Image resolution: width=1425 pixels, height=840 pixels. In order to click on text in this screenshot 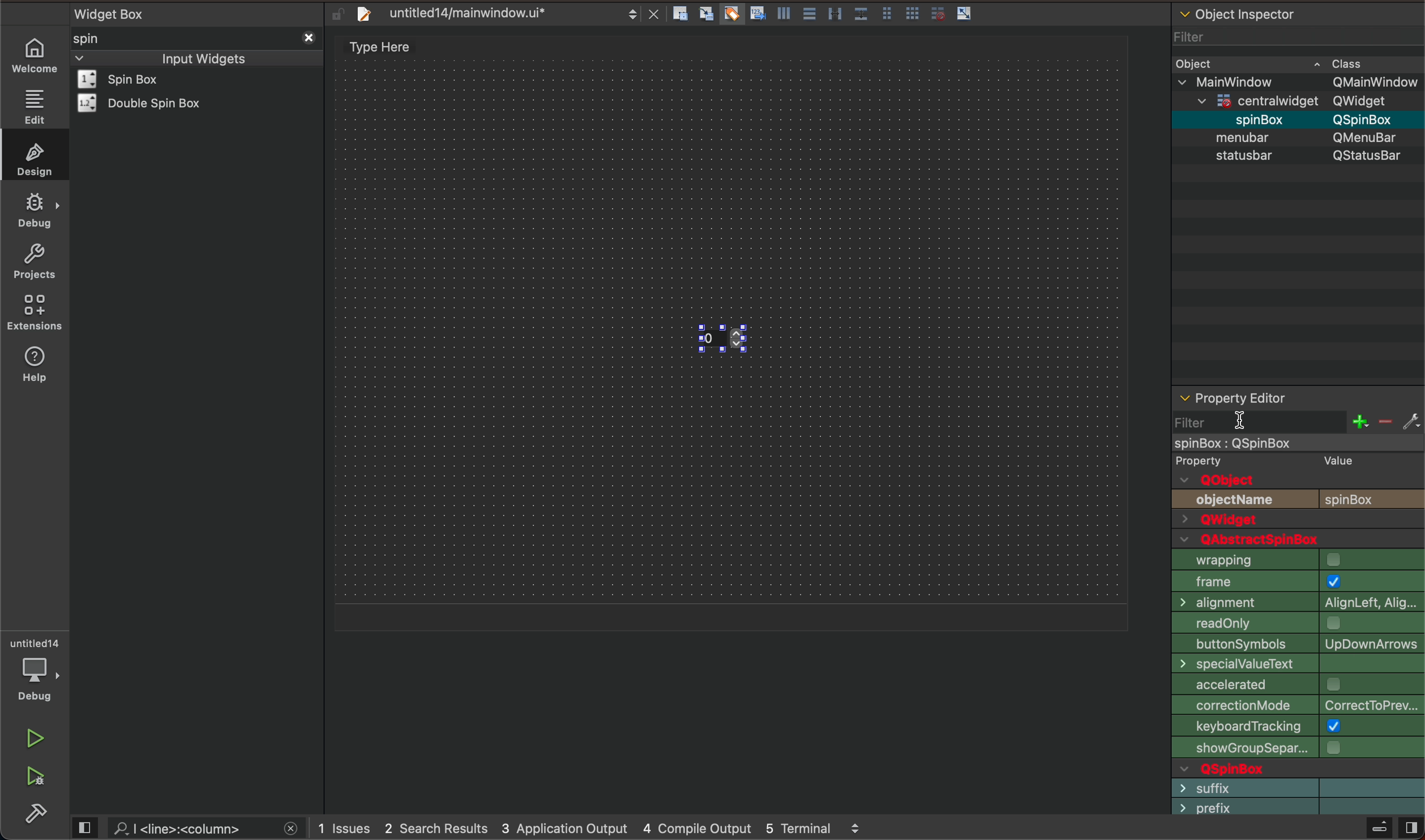, I will do `click(1334, 460)`.